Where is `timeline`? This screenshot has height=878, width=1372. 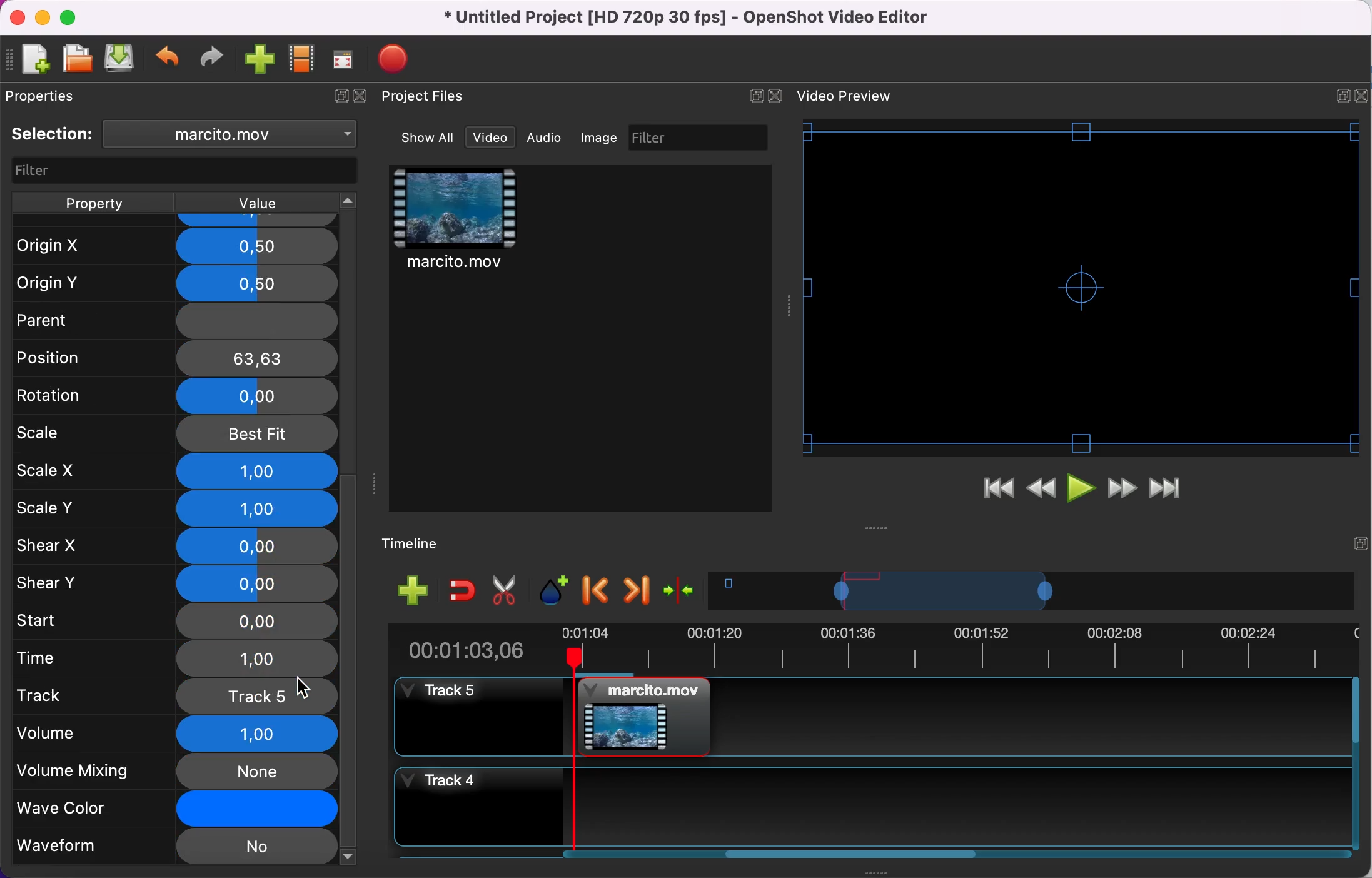 timeline is located at coordinates (420, 545).